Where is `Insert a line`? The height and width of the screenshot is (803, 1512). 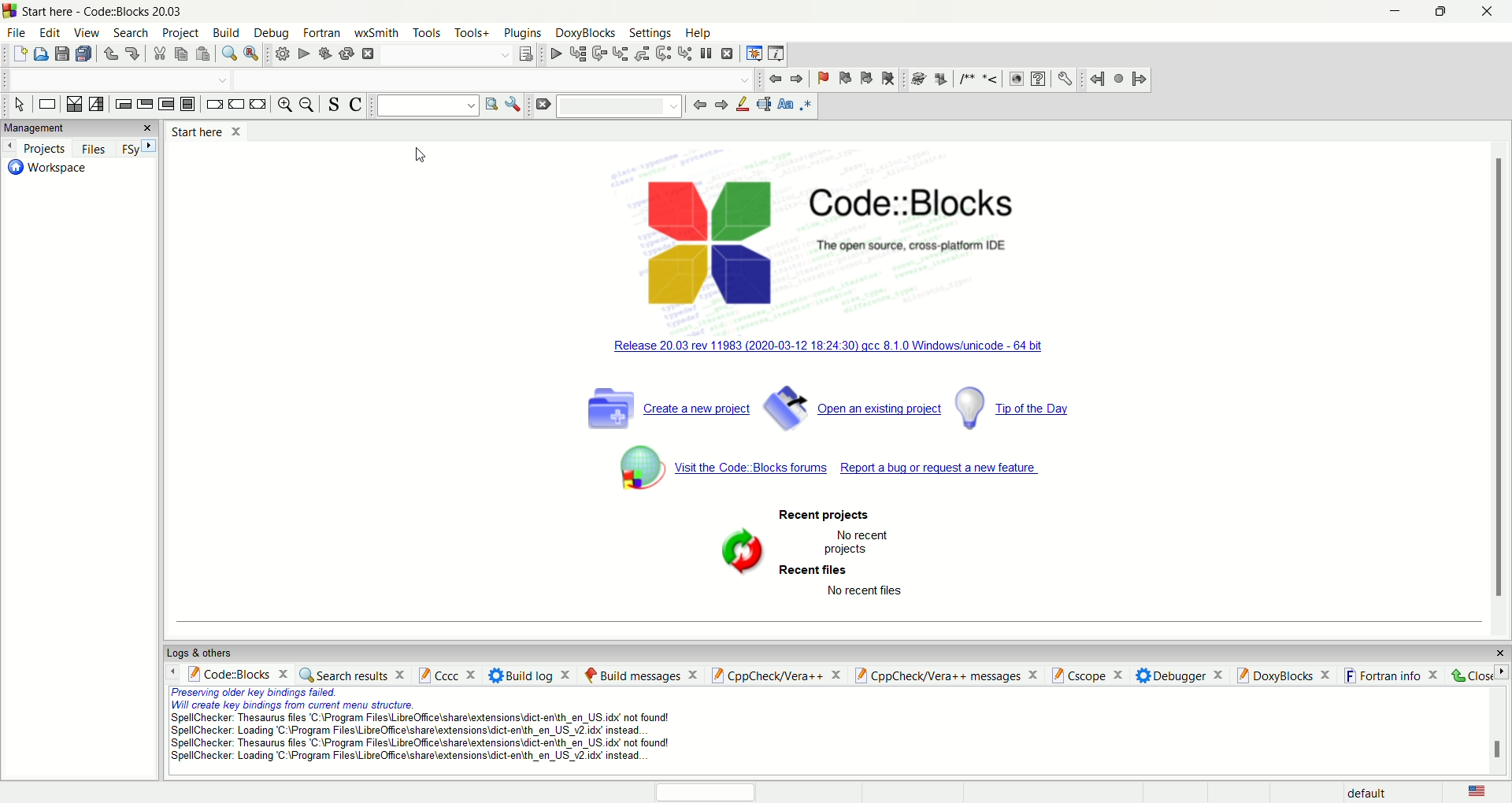 Insert a line is located at coordinates (991, 80).